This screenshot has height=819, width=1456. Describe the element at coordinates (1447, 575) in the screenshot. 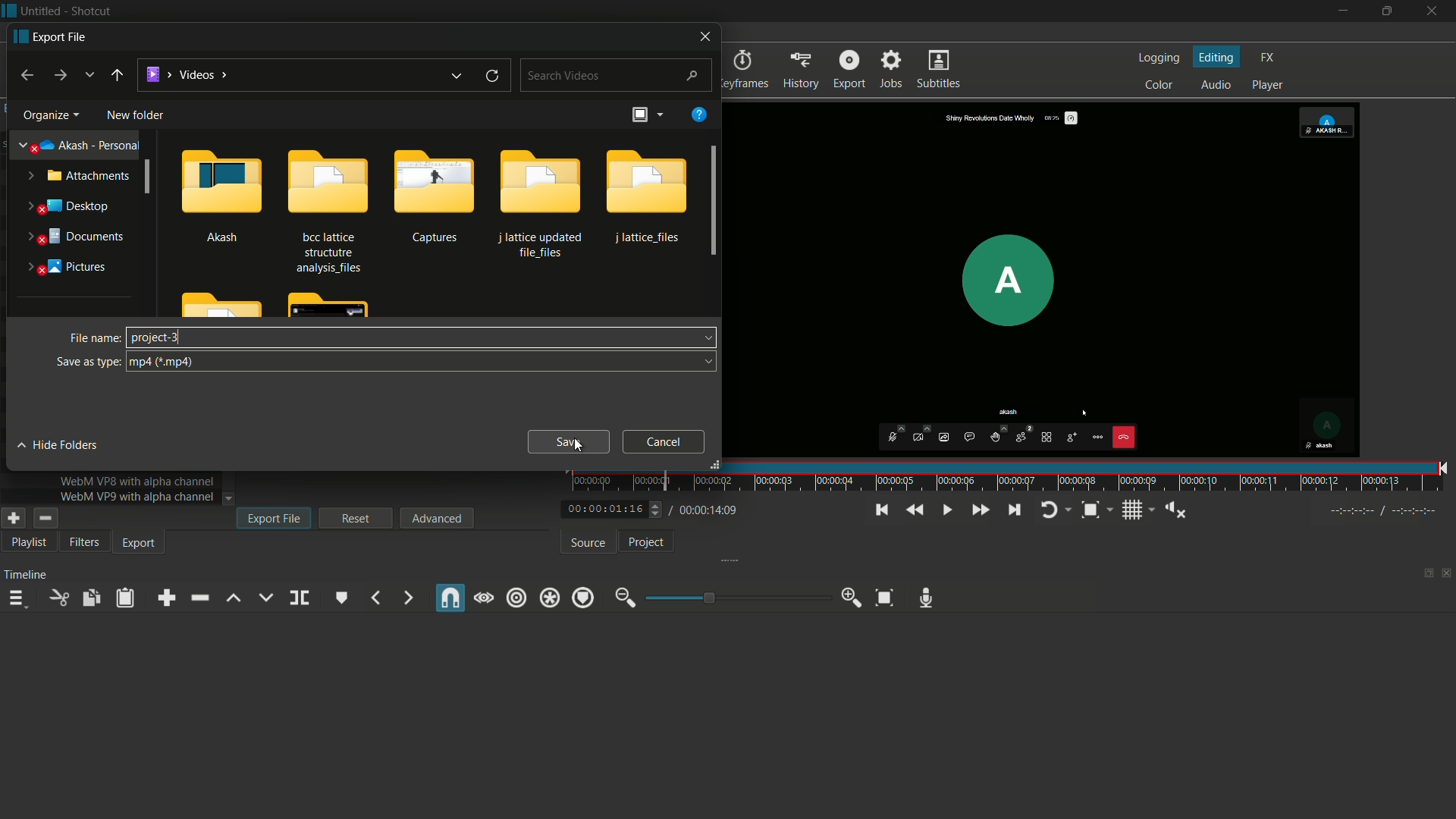

I see `close timeline` at that location.